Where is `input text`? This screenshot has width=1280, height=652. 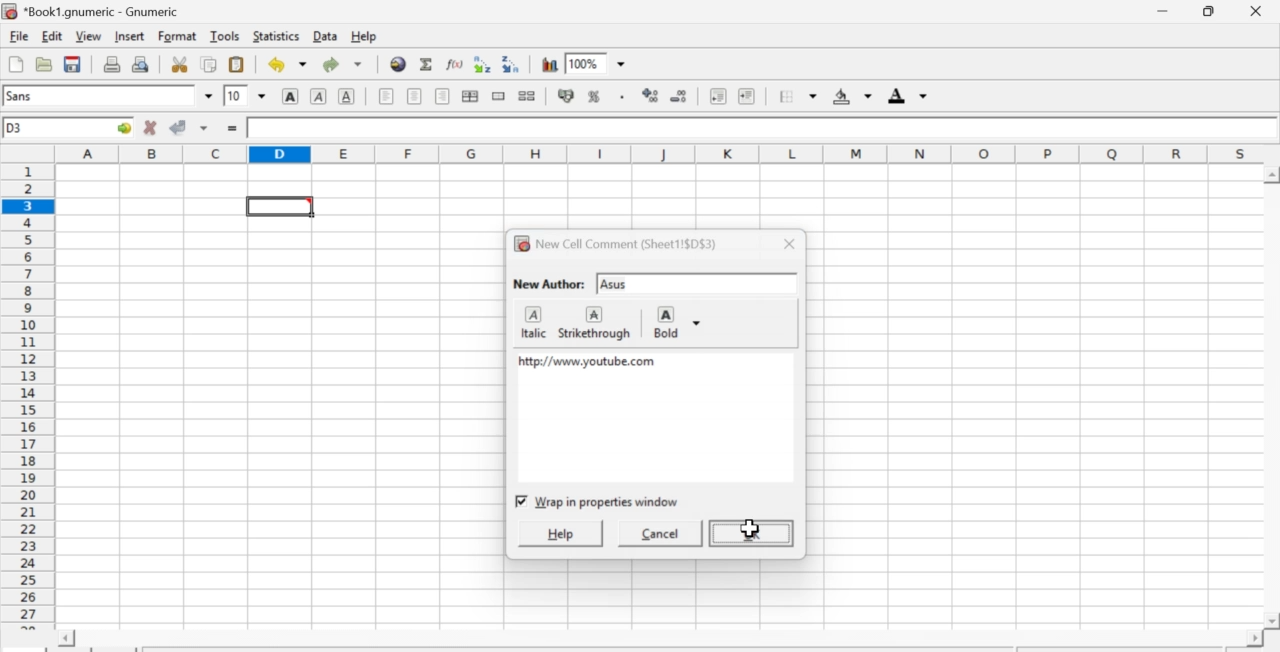
input text is located at coordinates (698, 285).